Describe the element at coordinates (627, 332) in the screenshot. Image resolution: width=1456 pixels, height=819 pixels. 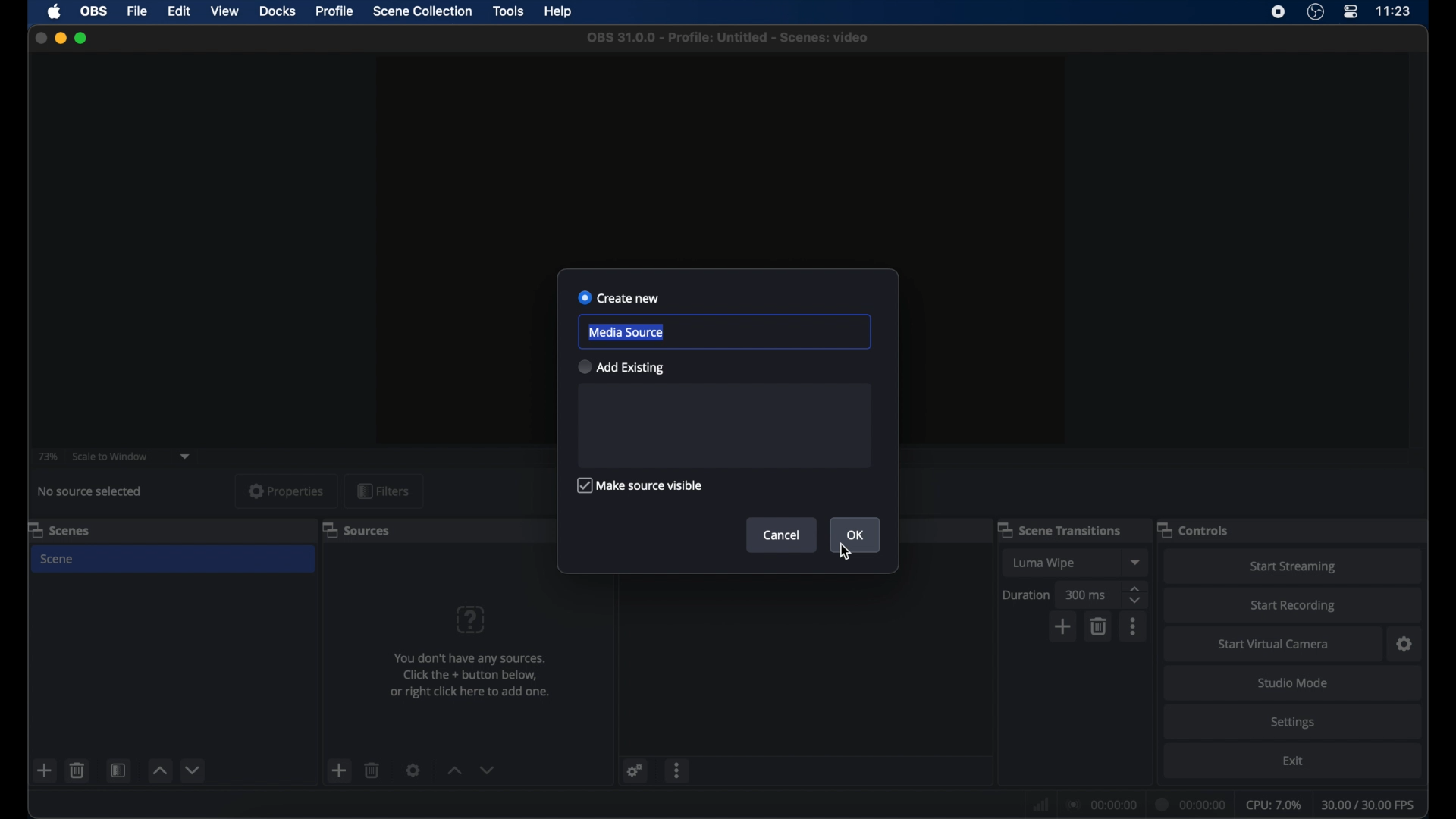
I see `media source` at that location.